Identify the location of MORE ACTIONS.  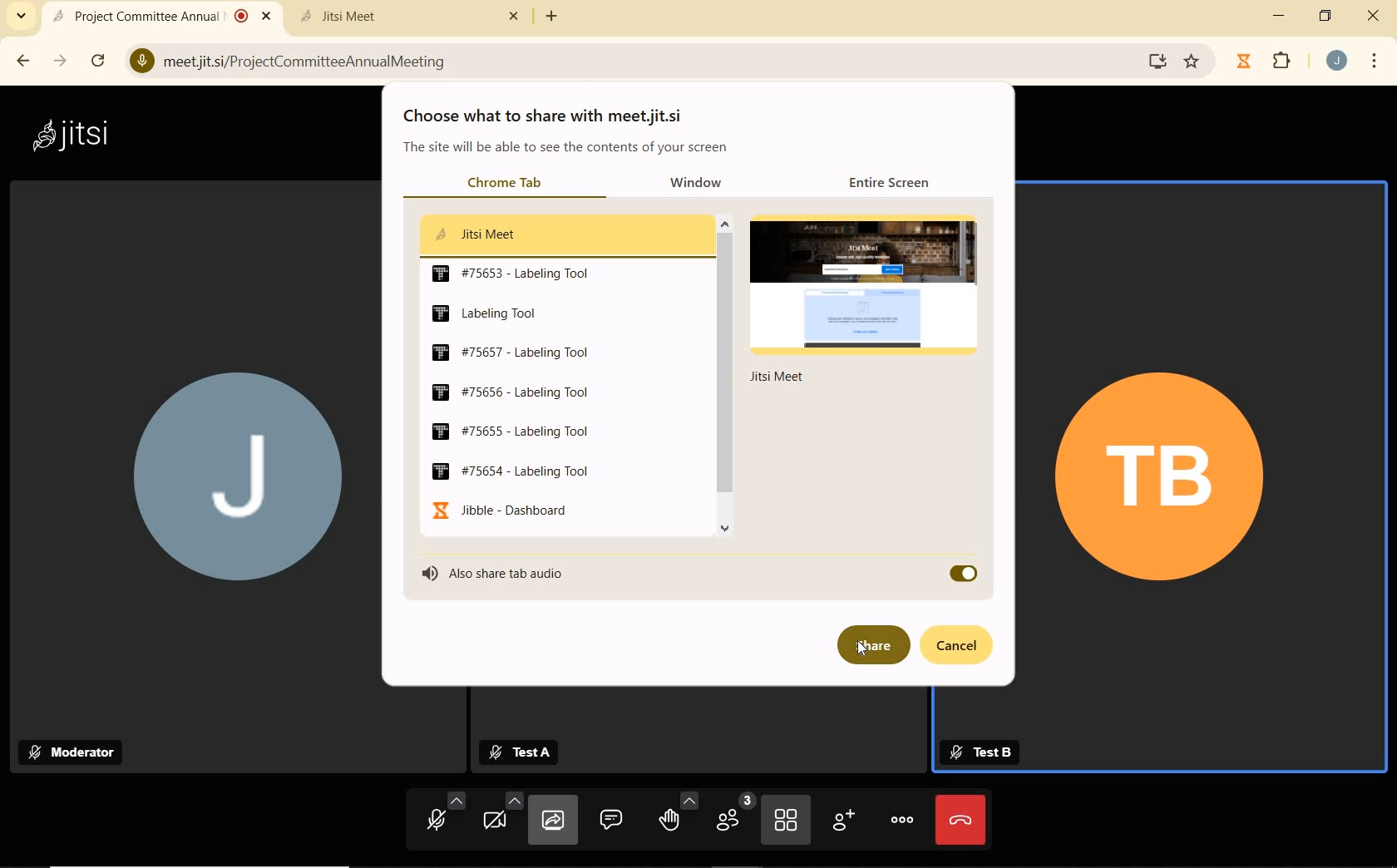
(903, 818).